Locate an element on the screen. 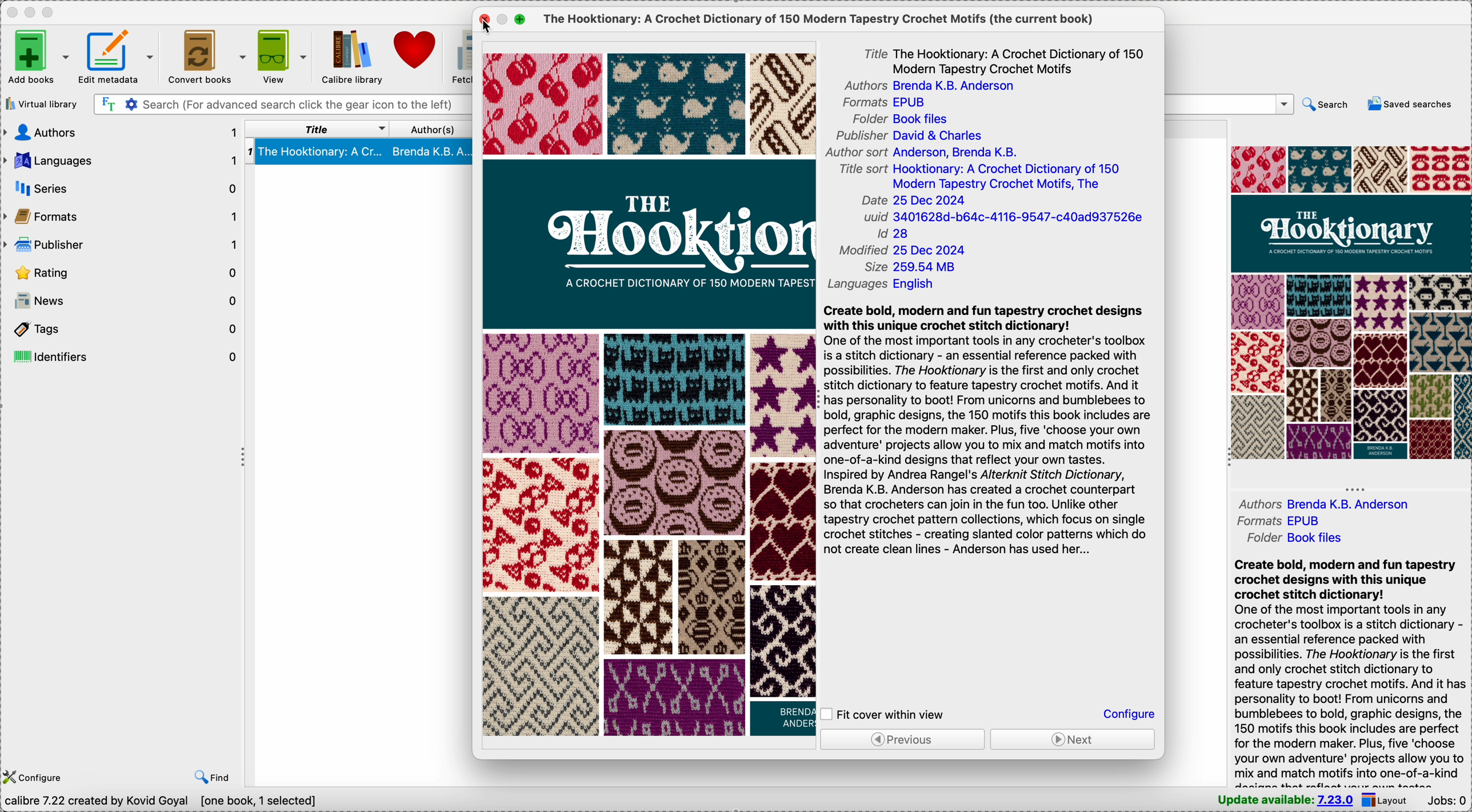  title is located at coordinates (320, 129).